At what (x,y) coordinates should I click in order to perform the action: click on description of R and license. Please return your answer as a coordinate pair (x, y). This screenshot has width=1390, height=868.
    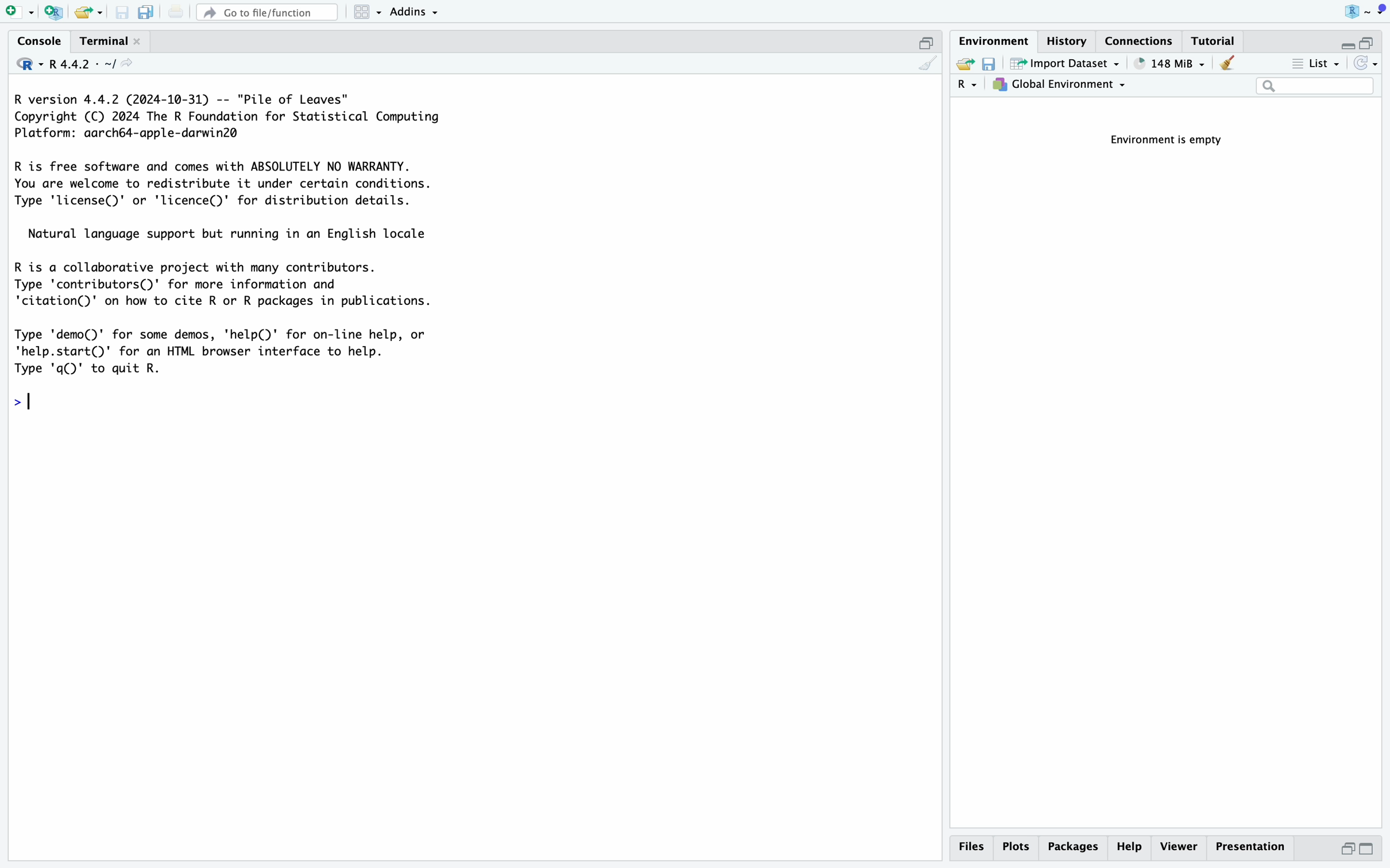
    Looking at the image, I should click on (225, 184).